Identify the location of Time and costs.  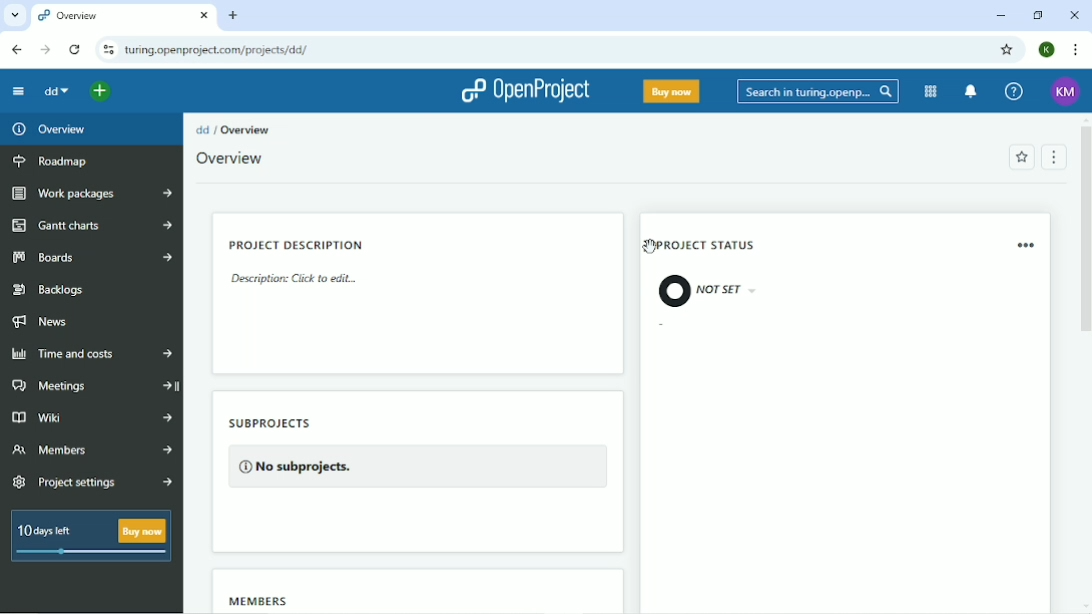
(92, 352).